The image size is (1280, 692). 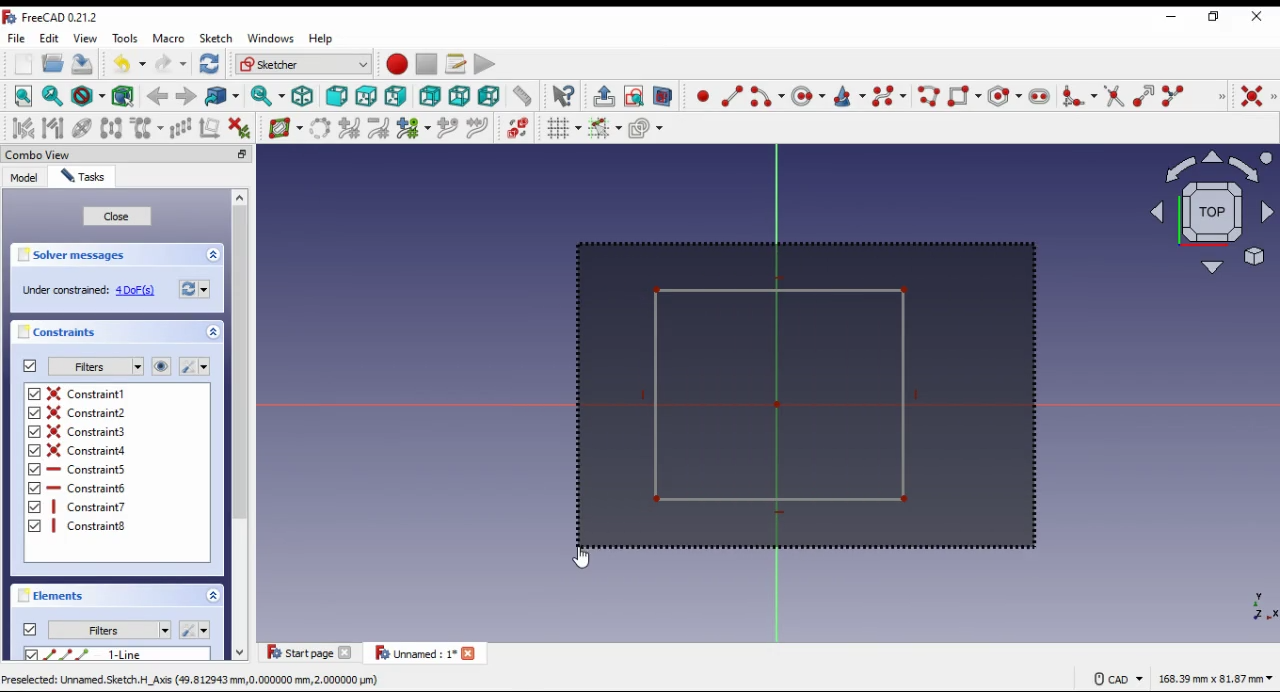 What do you see at coordinates (80, 128) in the screenshot?
I see `show hide internal geometry` at bounding box center [80, 128].